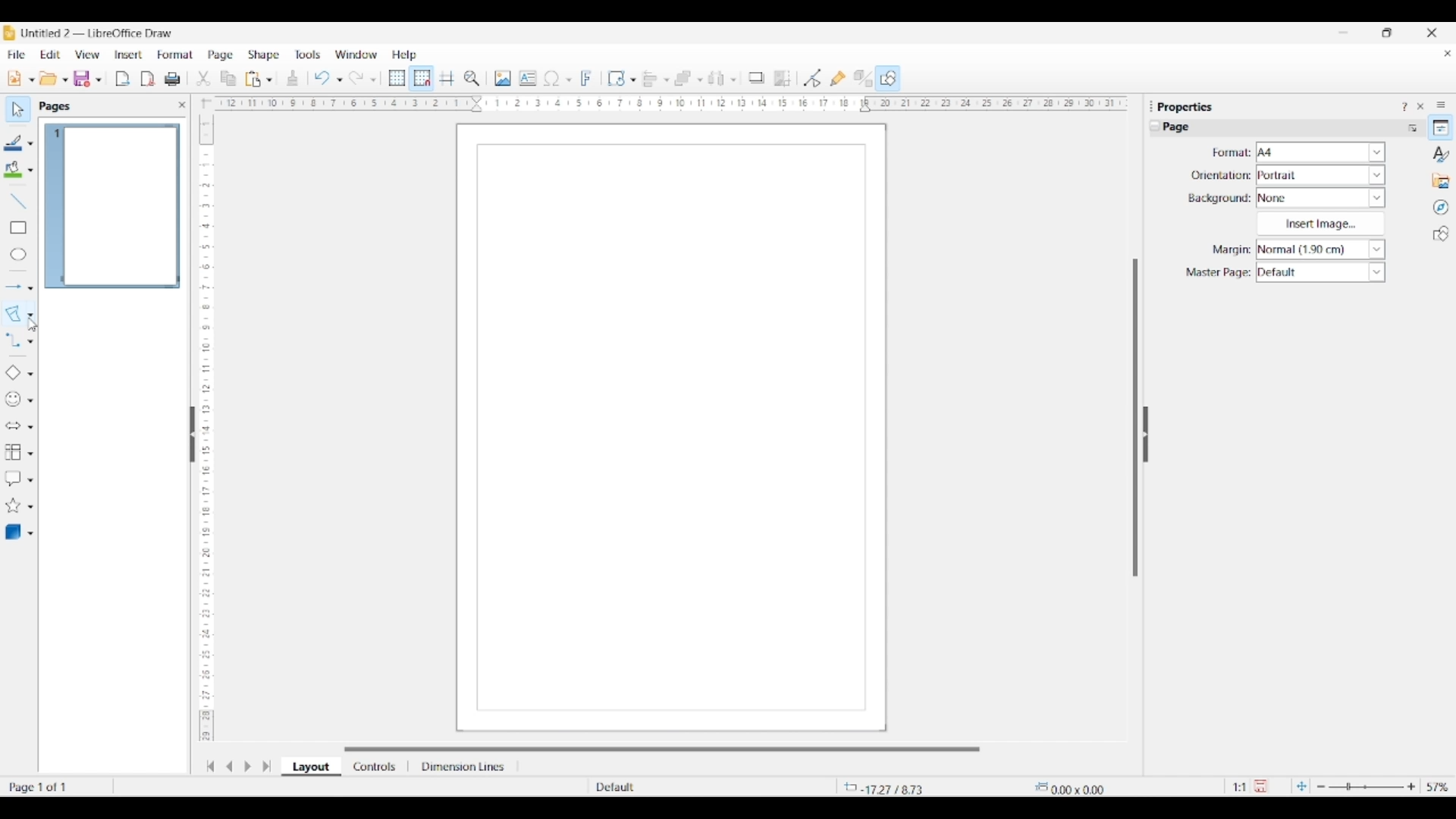 This screenshot has width=1456, height=819. I want to click on Insert line, so click(17, 200).